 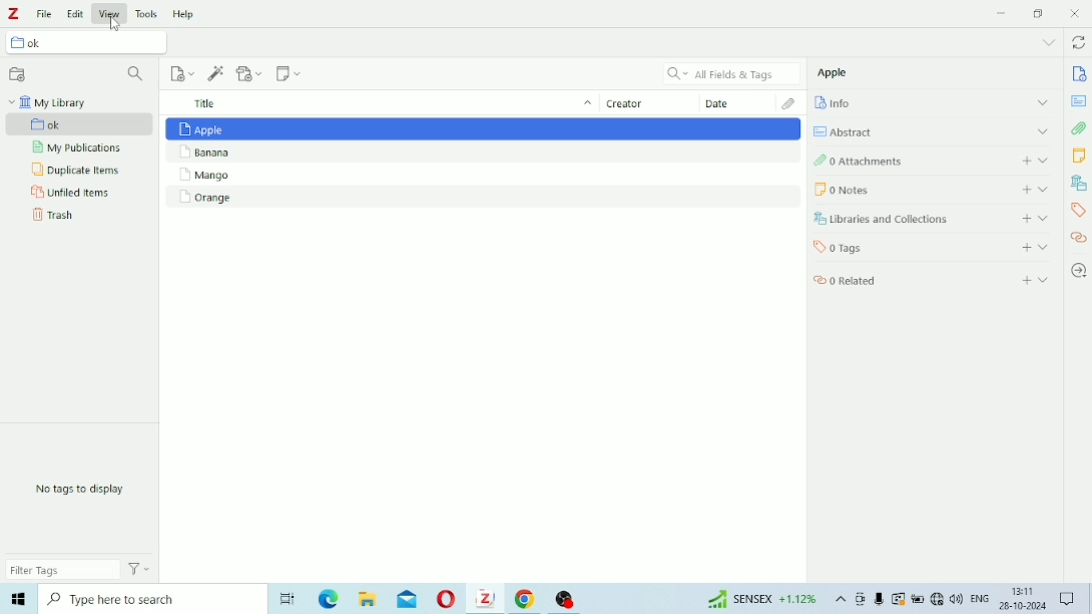 I want to click on Apple., so click(x=839, y=75).